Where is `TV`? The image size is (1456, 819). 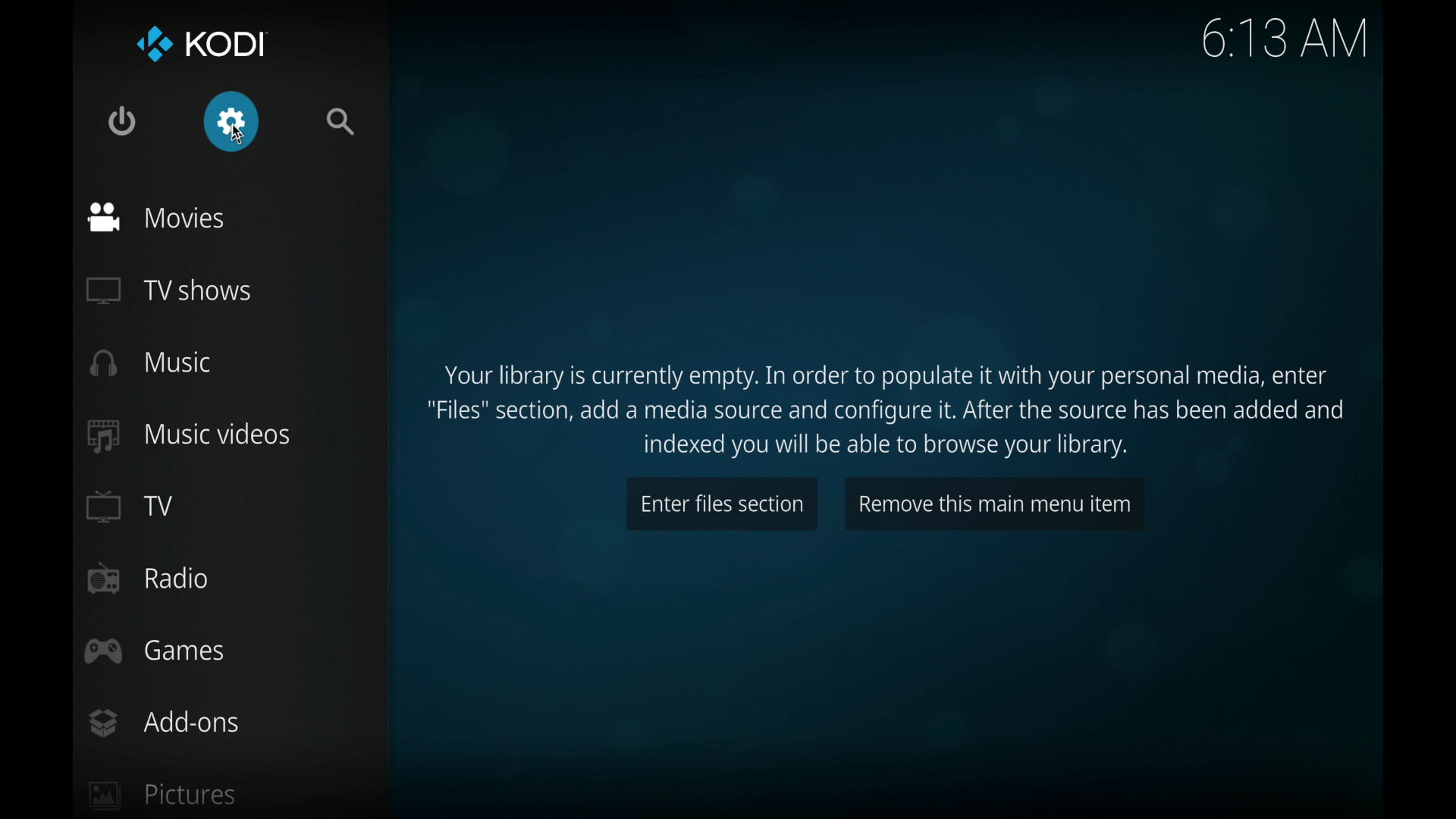
TV is located at coordinates (129, 505).